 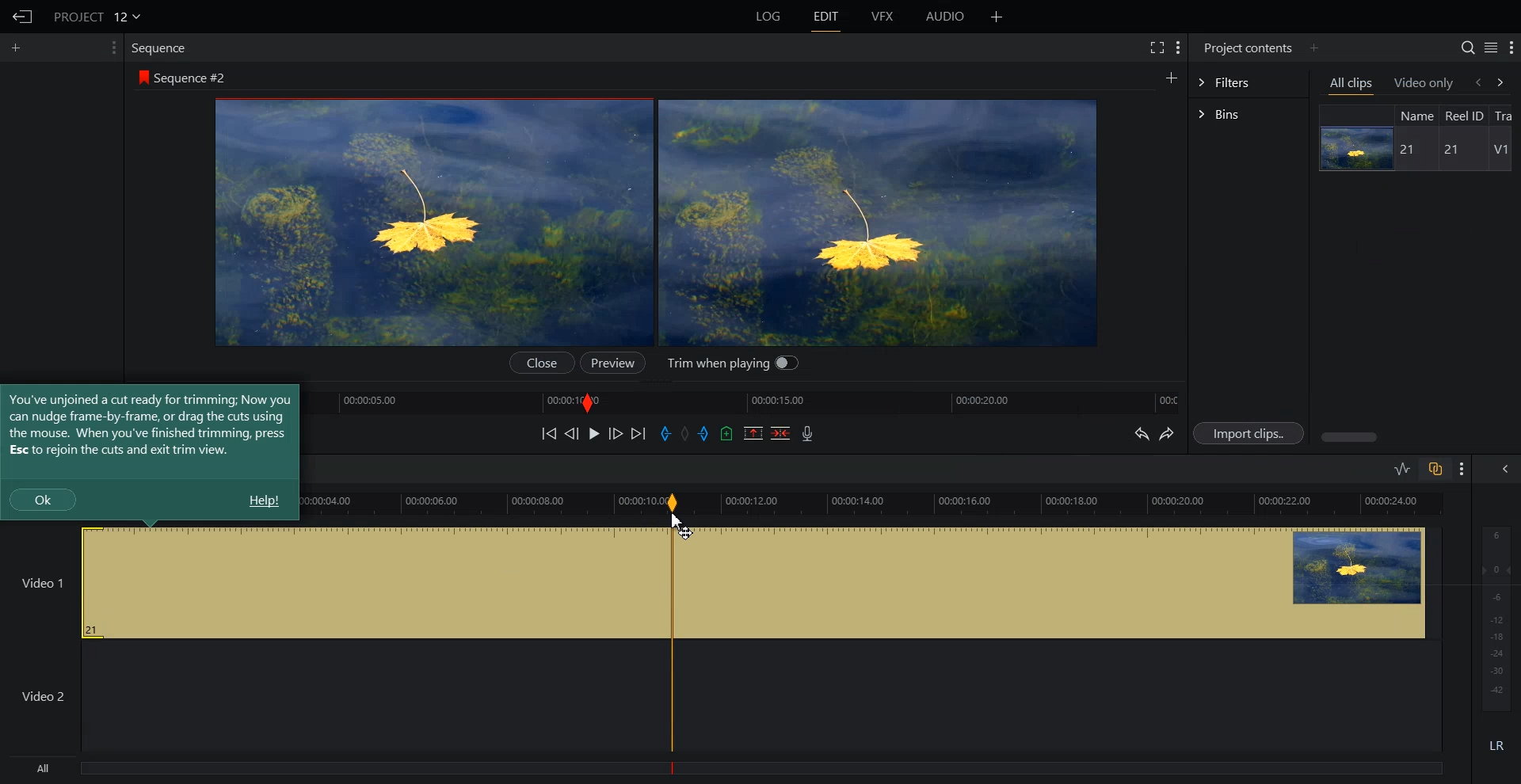 What do you see at coordinates (1490, 47) in the screenshot?
I see `Toggle between list and tile view` at bounding box center [1490, 47].